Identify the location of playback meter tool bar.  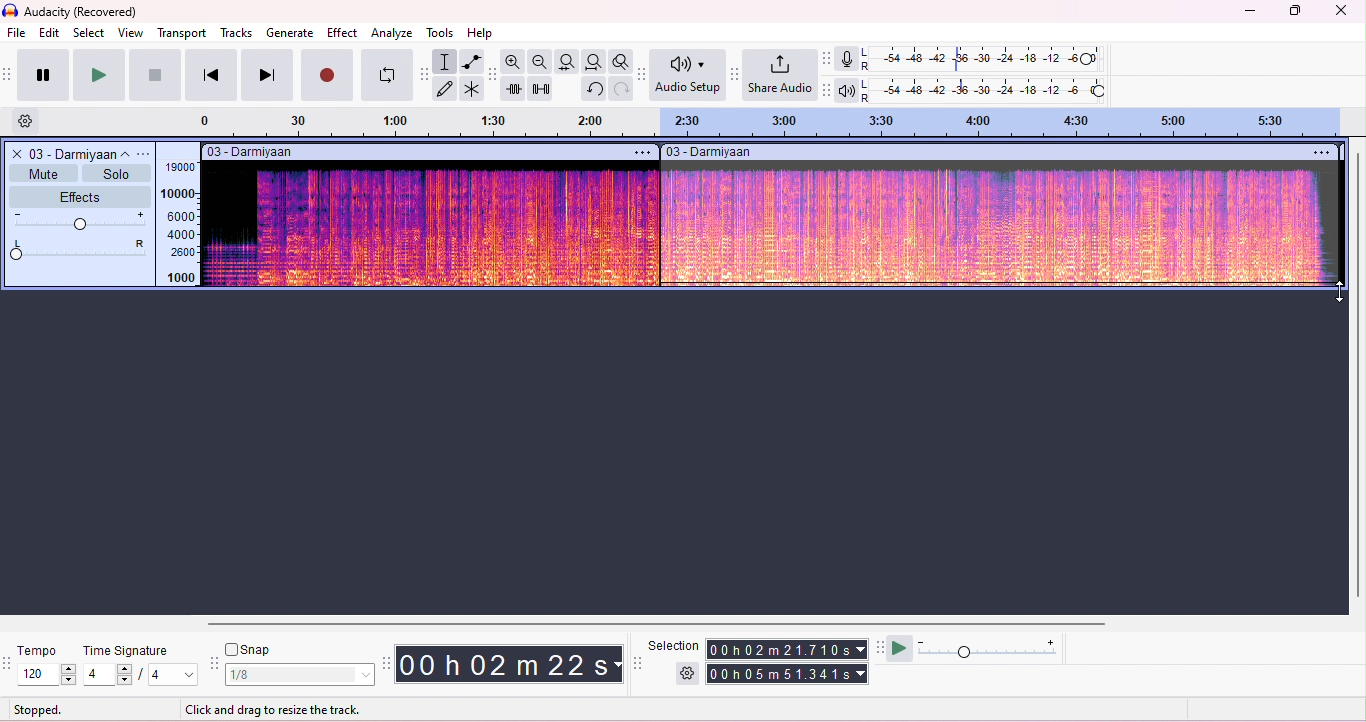
(828, 90).